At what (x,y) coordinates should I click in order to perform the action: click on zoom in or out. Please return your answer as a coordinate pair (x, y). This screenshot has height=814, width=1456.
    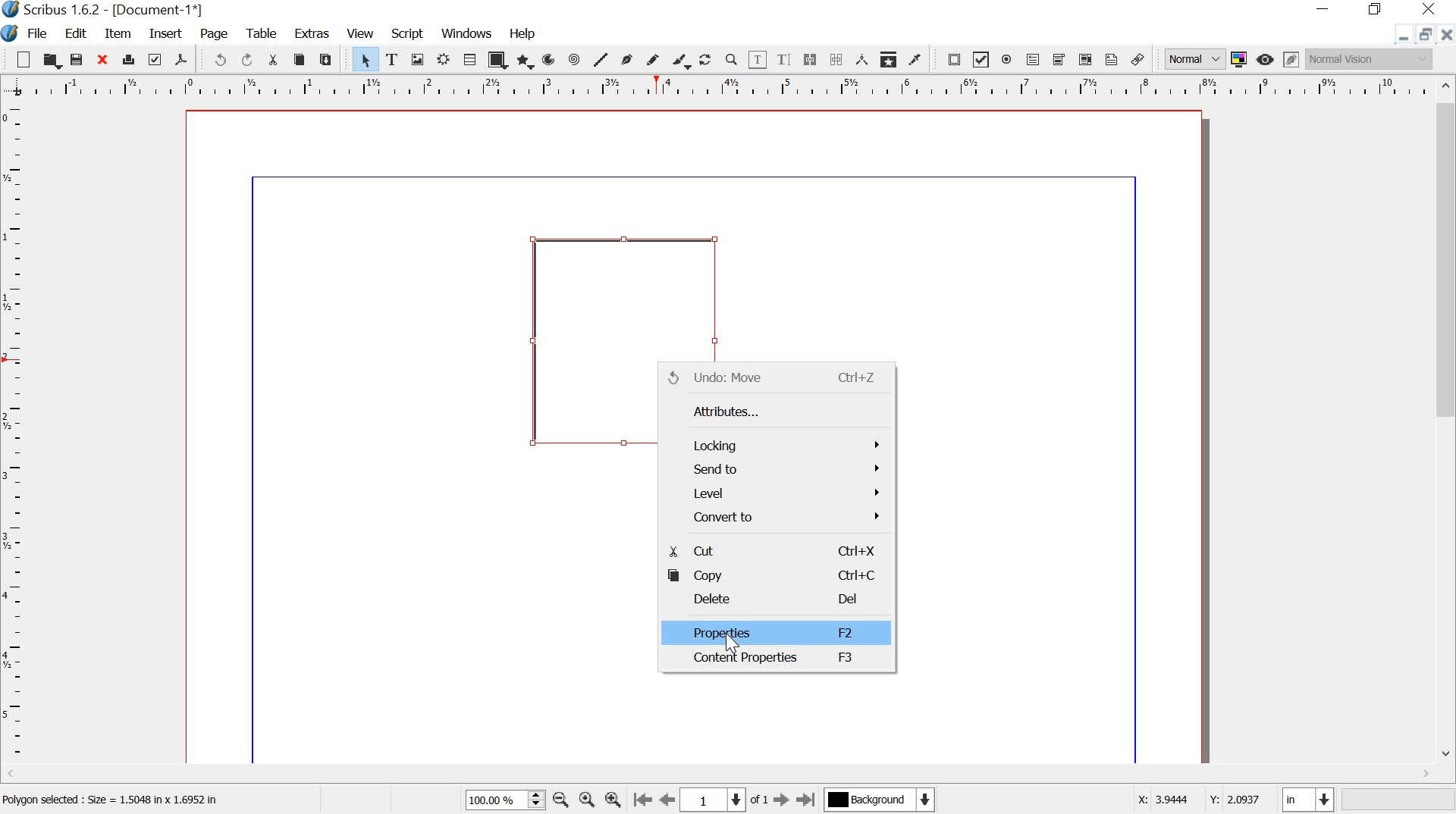
    Looking at the image, I should click on (731, 61).